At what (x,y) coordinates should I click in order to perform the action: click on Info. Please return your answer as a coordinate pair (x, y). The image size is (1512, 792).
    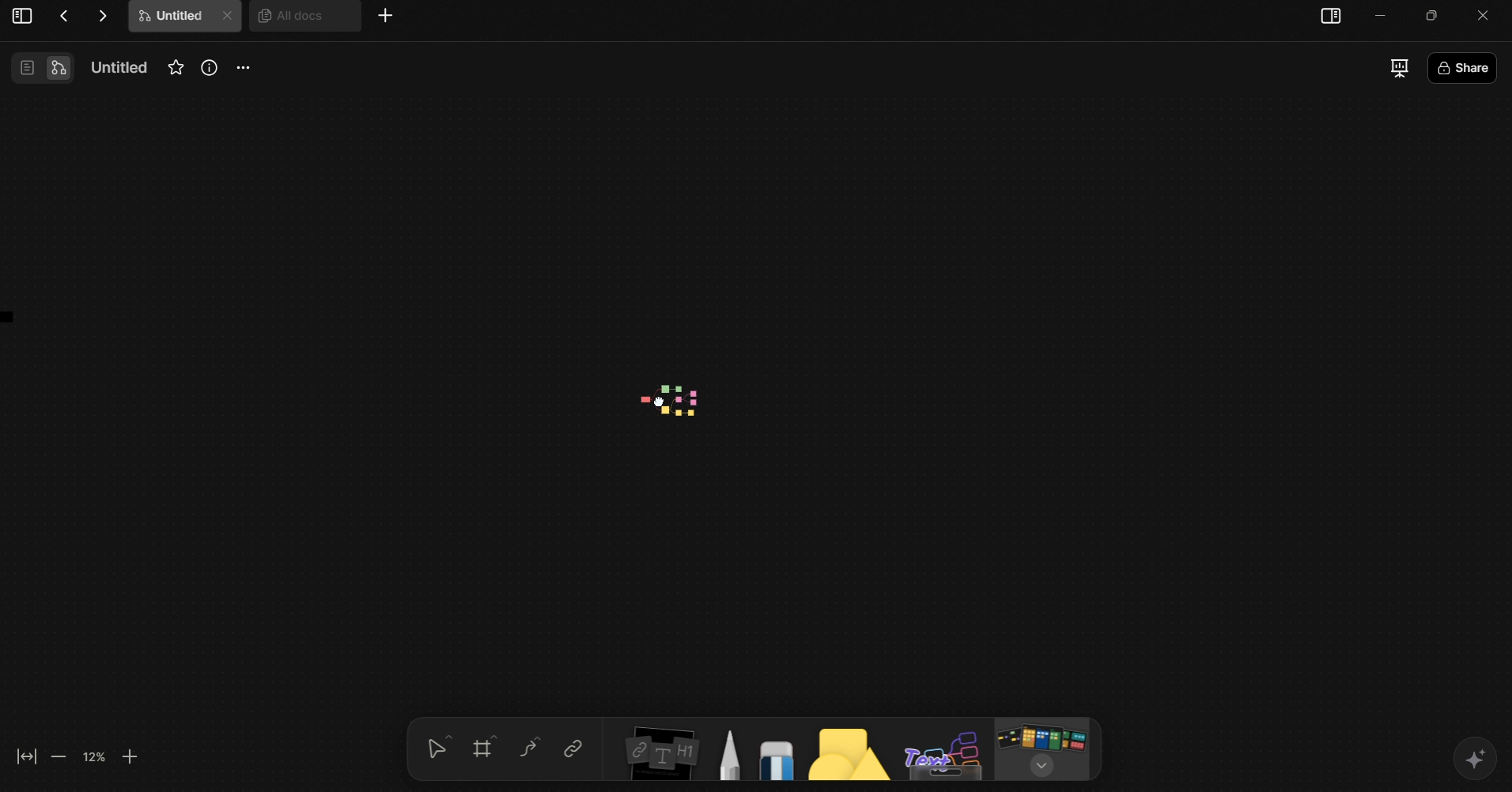
    Looking at the image, I should click on (211, 70).